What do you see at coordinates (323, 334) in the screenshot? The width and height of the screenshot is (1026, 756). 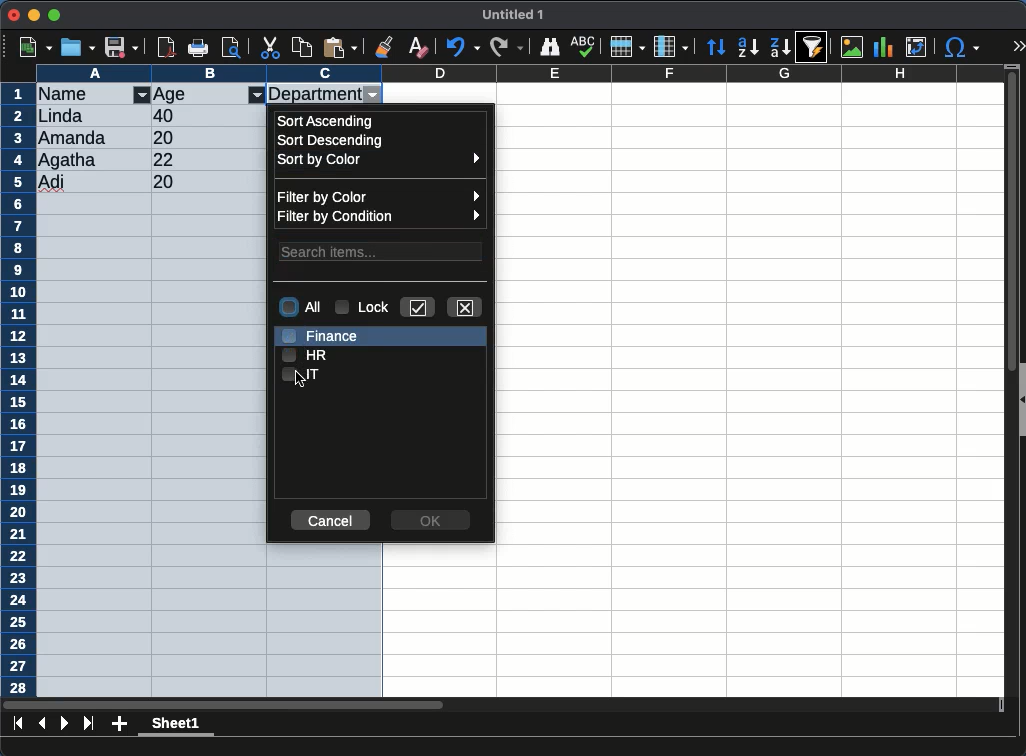 I see `finance` at bounding box center [323, 334].